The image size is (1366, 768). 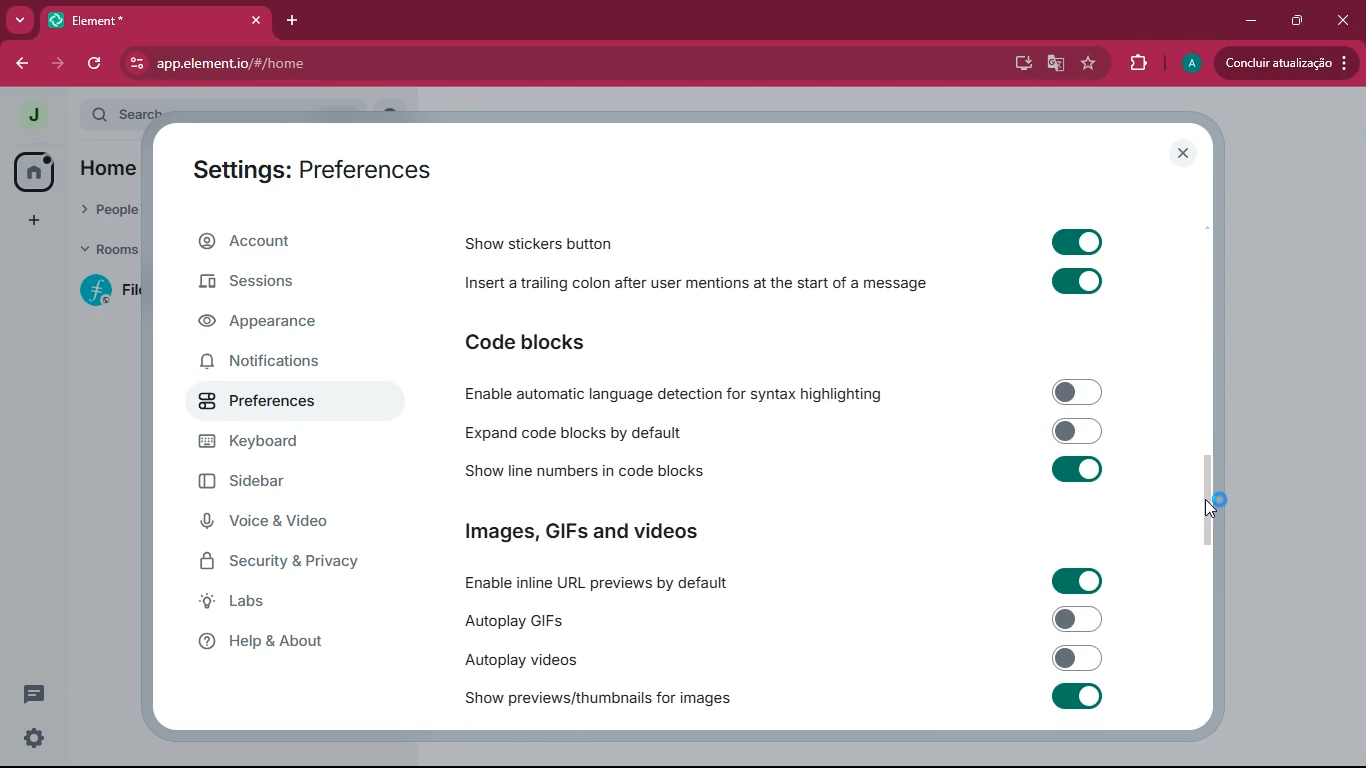 I want to click on desktop, so click(x=1018, y=65).